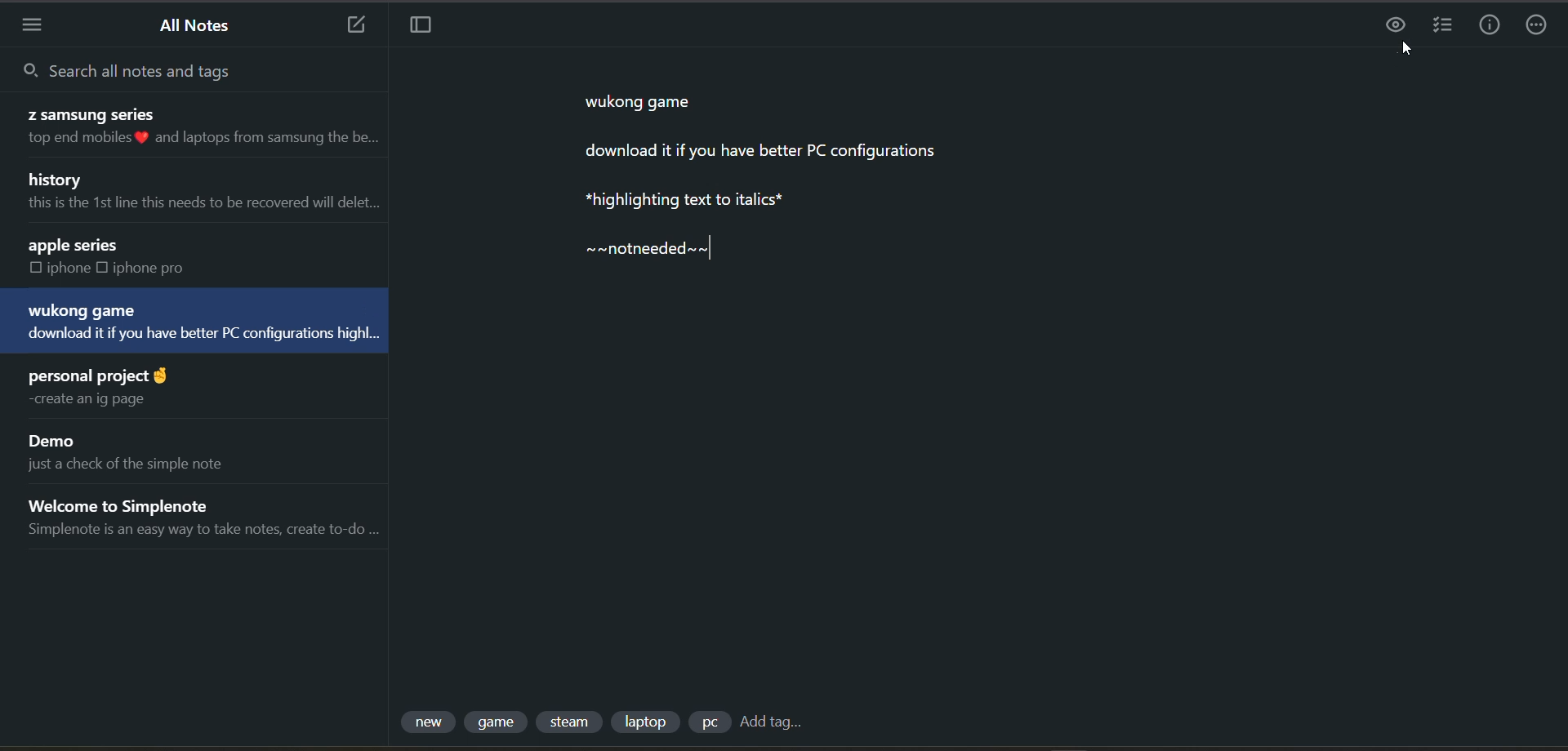 The image size is (1568, 751). Describe the element at coordinates (501, 725) in the screenshot. I see `tag 2` at that location.